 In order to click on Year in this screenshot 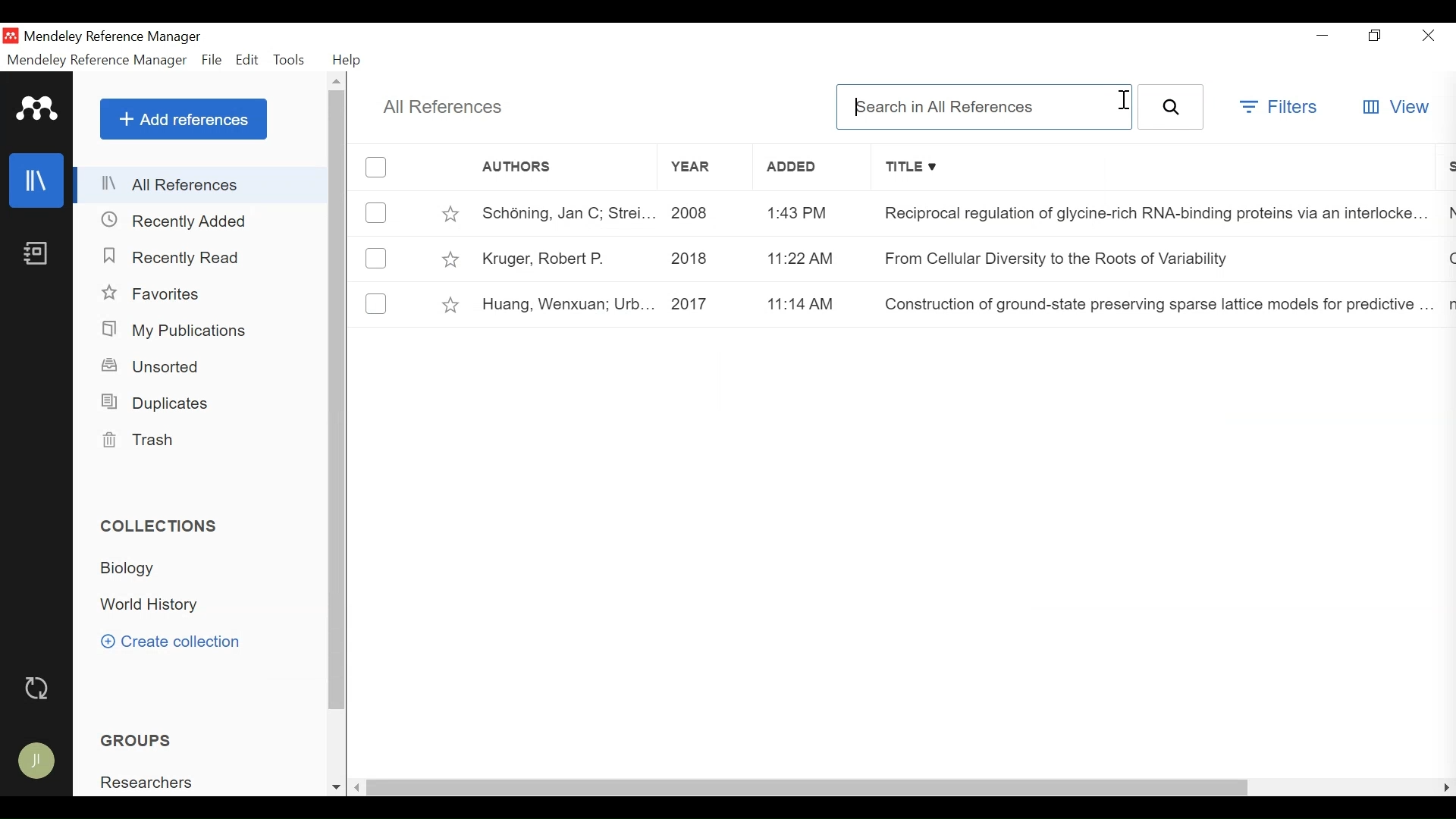, I will do `click(704, 167)`.